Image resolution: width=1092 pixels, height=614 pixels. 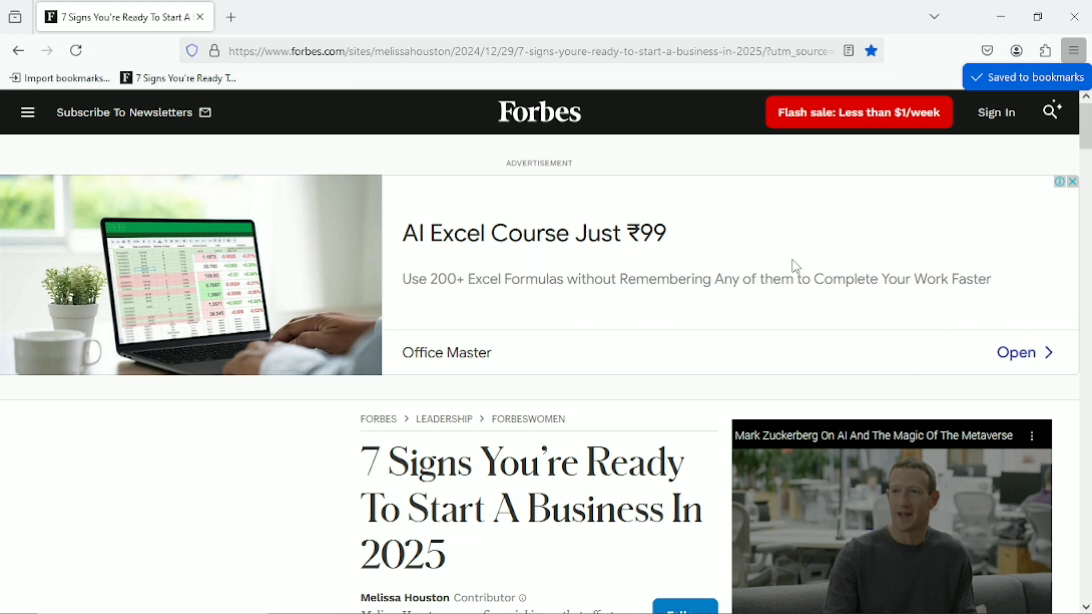 I want to click on Flash sale: Less than $1/week, so click(x=859, y=113).